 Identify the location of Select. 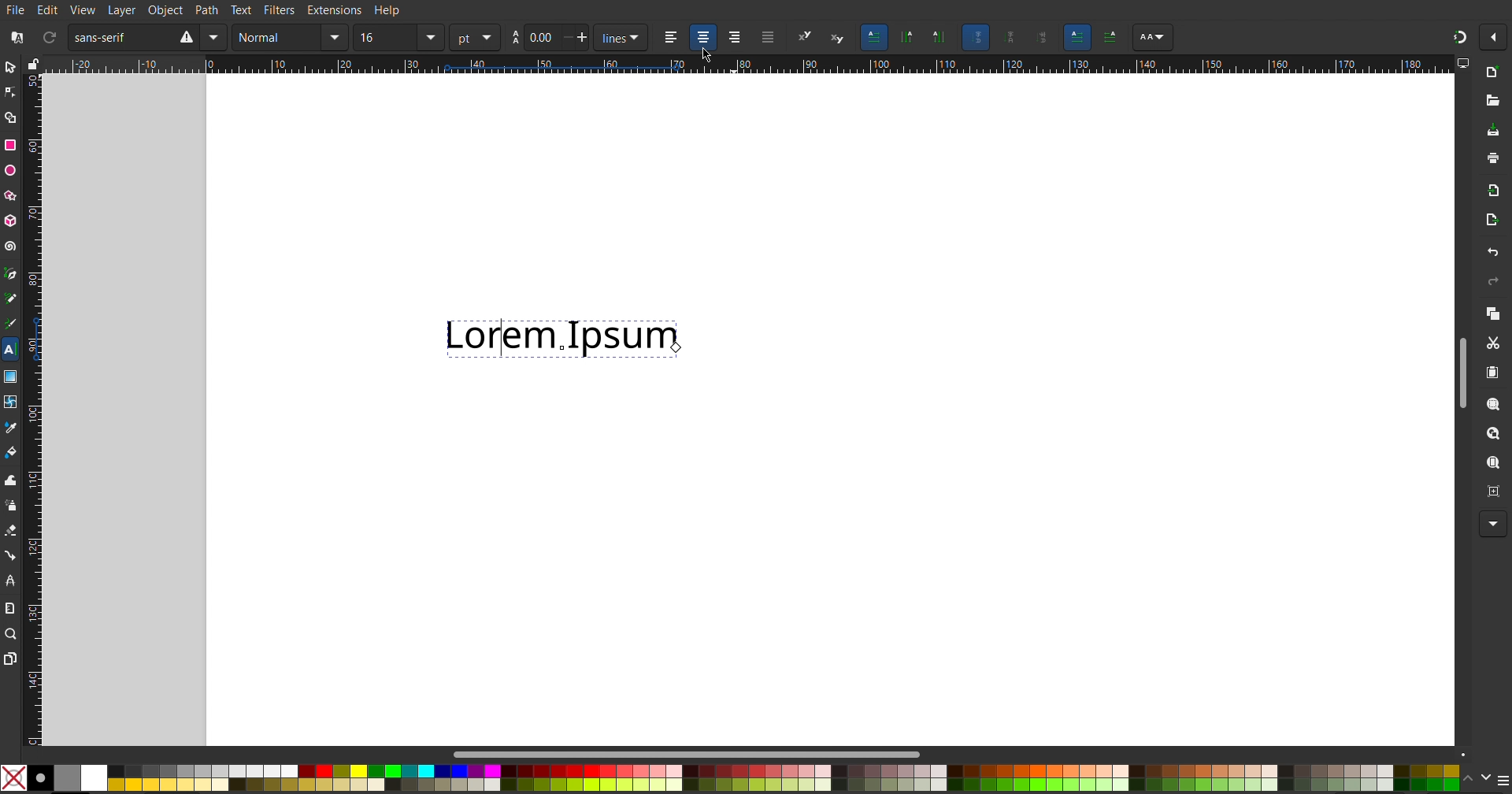
(14, 66).